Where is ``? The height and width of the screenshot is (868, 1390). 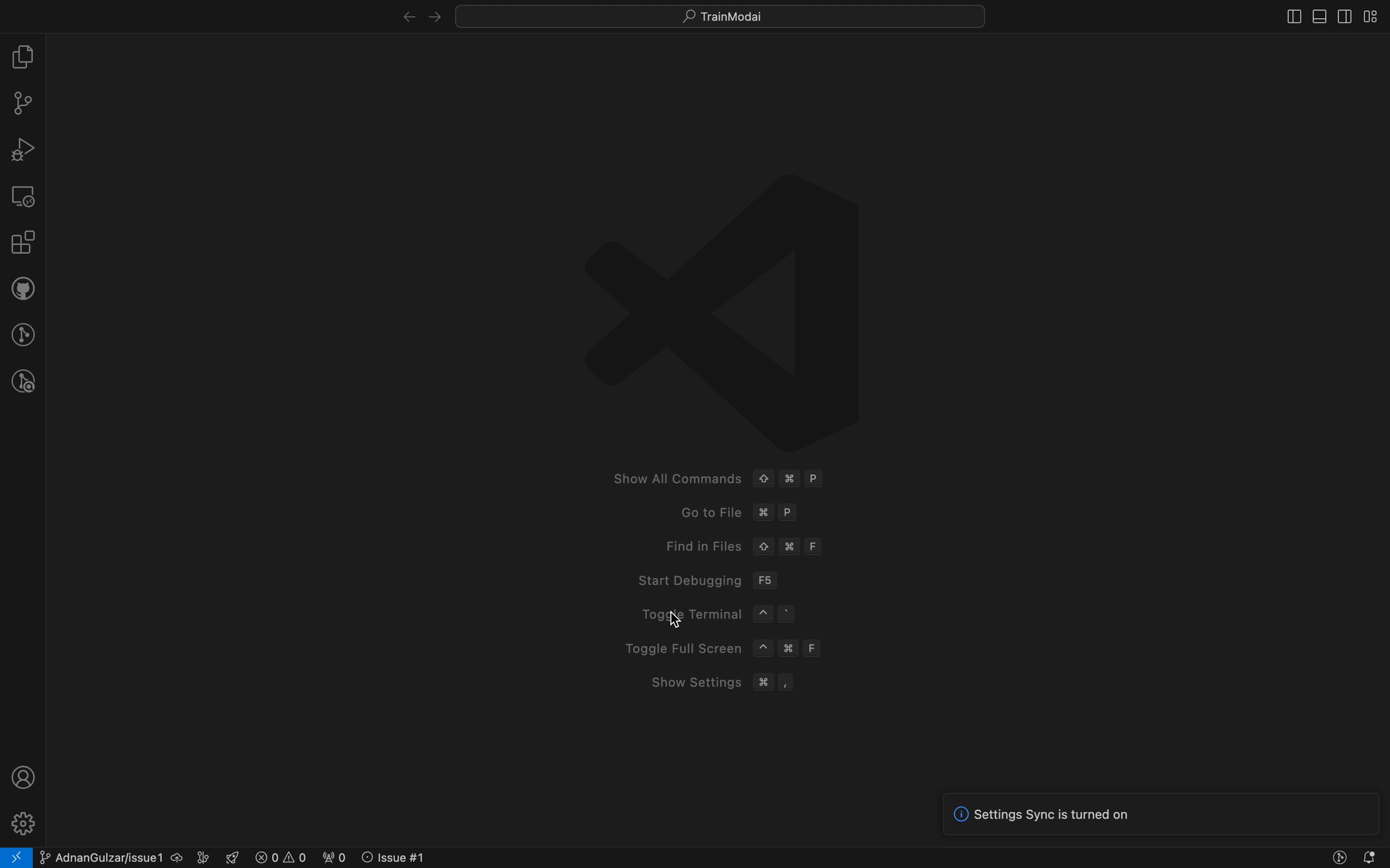
 is located at coordinates (1337, 859).